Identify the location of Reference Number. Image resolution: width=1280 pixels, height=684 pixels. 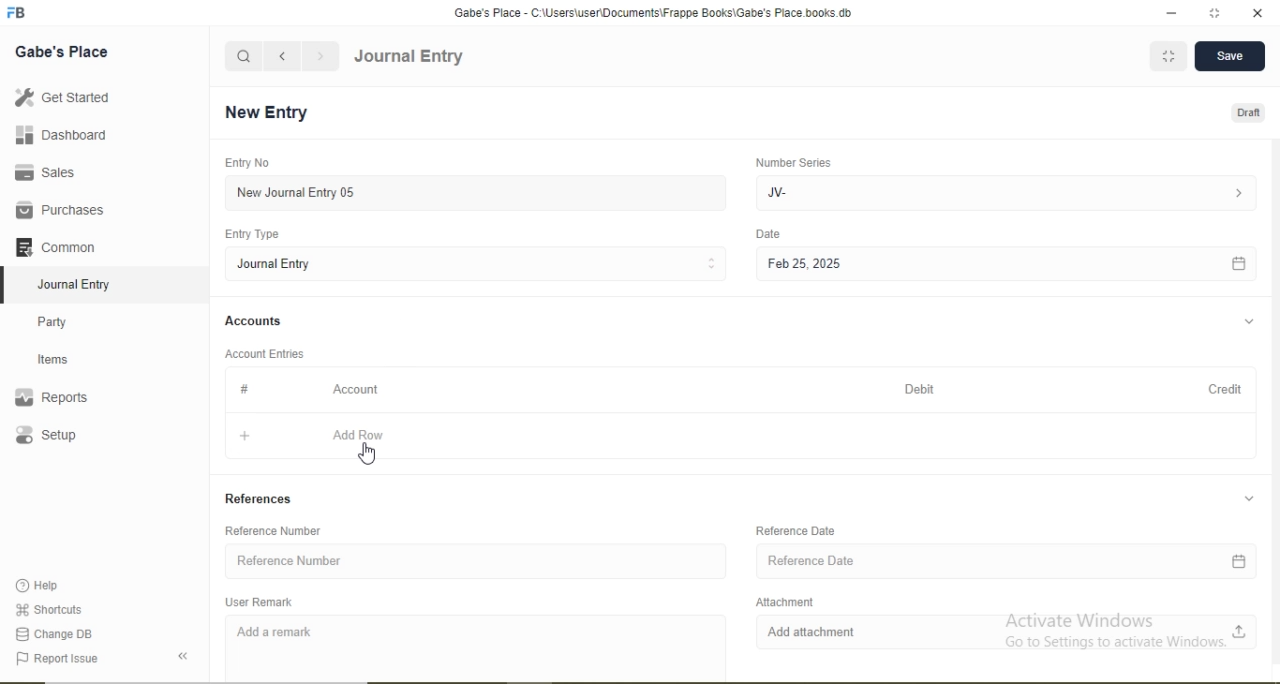
(278, 531).